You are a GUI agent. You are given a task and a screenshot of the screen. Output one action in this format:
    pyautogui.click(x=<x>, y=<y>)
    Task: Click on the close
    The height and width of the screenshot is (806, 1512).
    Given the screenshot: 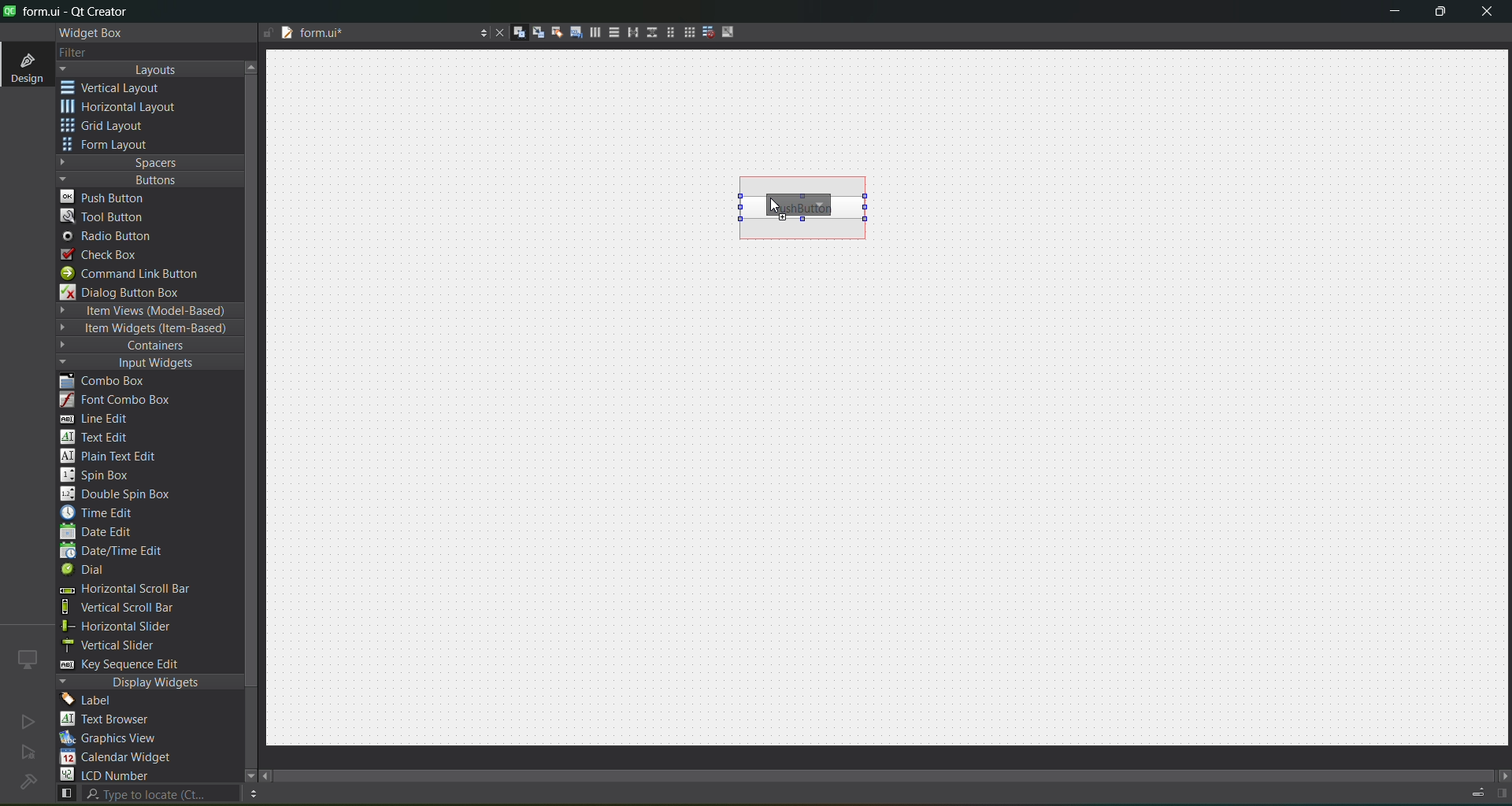 What is the action you would take?
    pyautogui.click(x=1487, y=13)
    